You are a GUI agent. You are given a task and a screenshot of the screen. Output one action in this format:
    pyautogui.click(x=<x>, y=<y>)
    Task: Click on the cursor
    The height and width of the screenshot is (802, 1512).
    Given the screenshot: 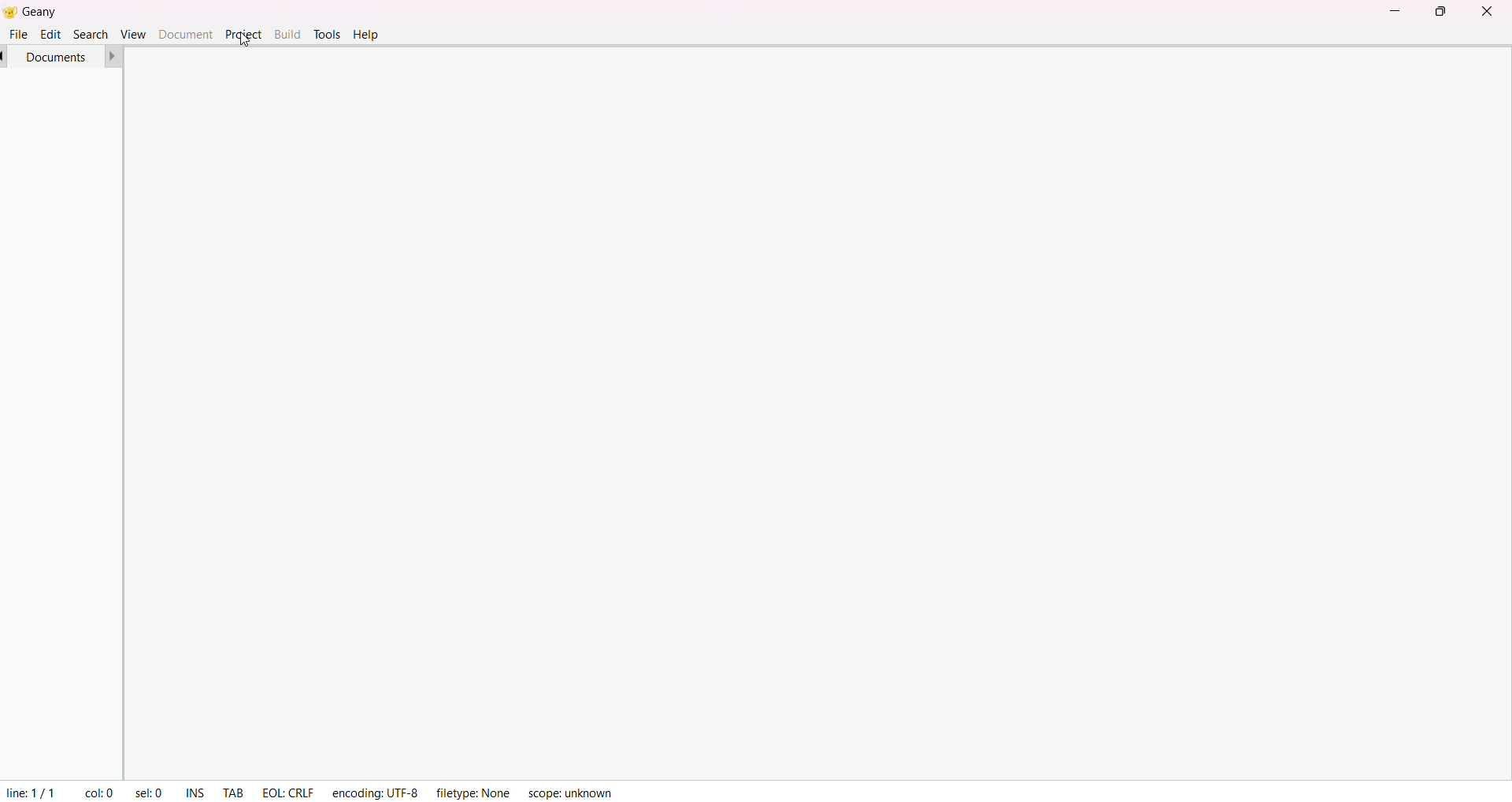 What is the action you would take?
    pyautogui.click(x=244, y=37)
    